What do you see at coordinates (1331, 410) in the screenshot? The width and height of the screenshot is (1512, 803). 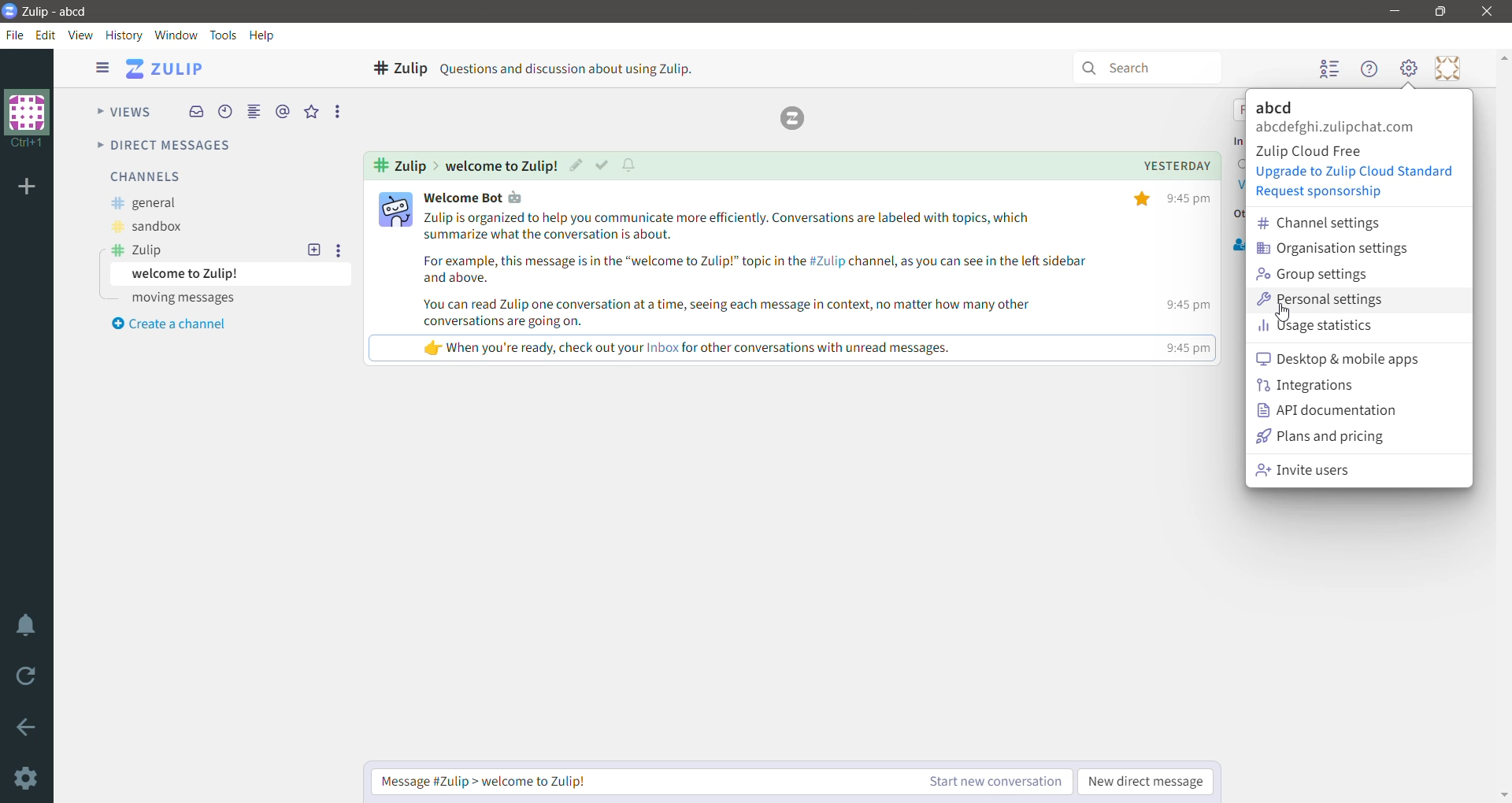 I see `API documentation` at bounding box center [1331, 410].